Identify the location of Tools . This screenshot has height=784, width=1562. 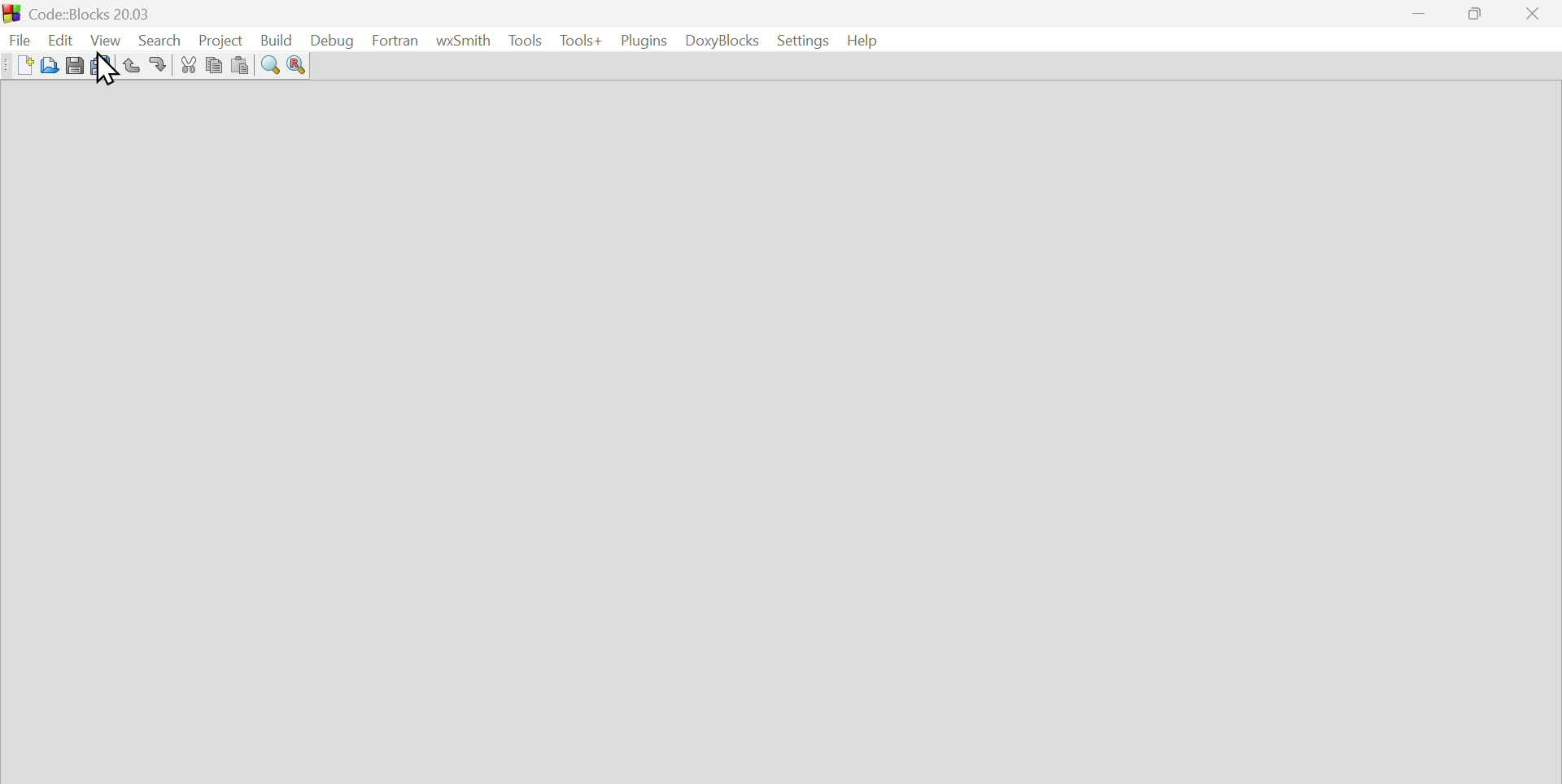
(524, 40).